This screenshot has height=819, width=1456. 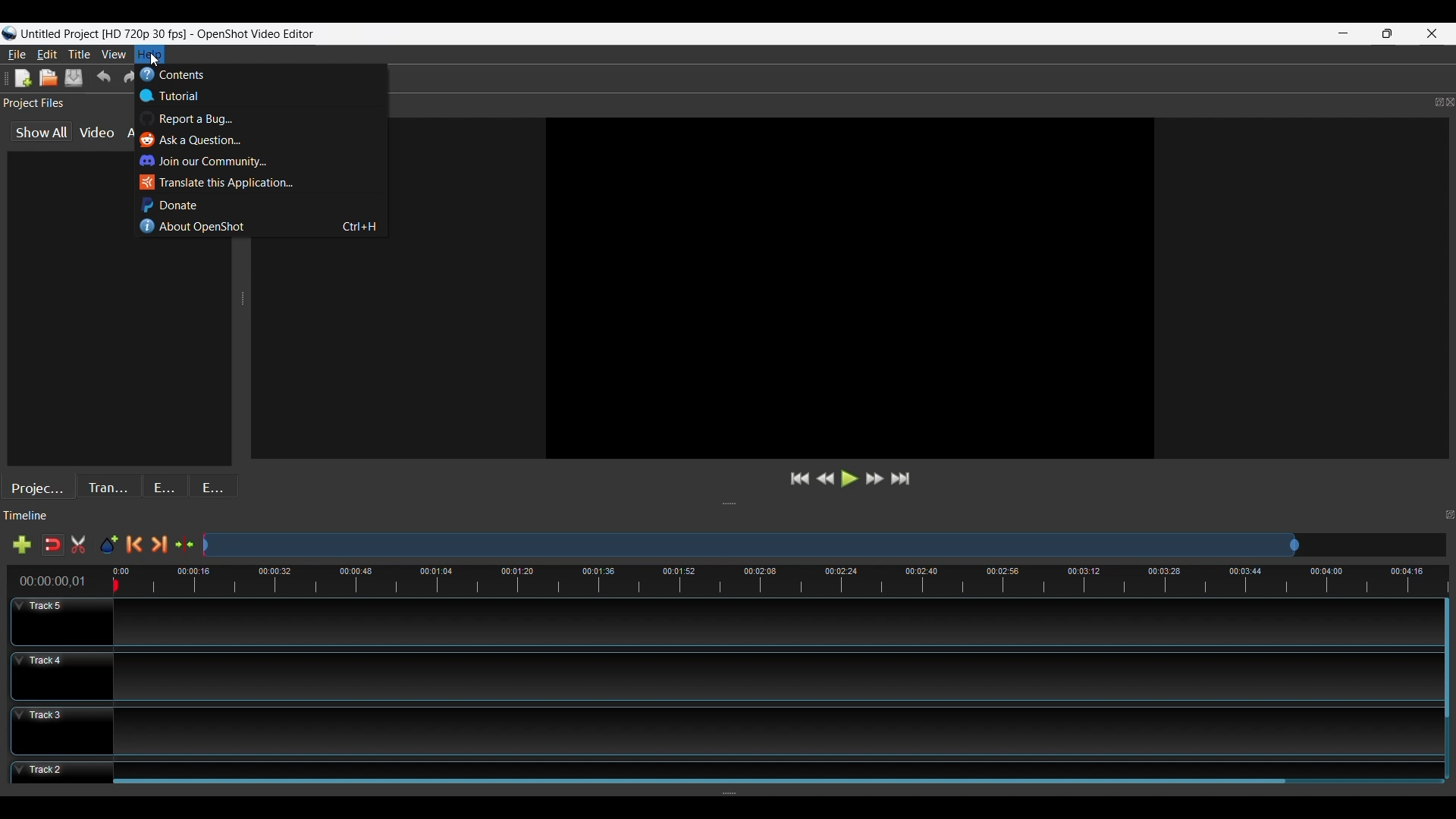 I want to click on Track Header, so click(x=63, y=622).